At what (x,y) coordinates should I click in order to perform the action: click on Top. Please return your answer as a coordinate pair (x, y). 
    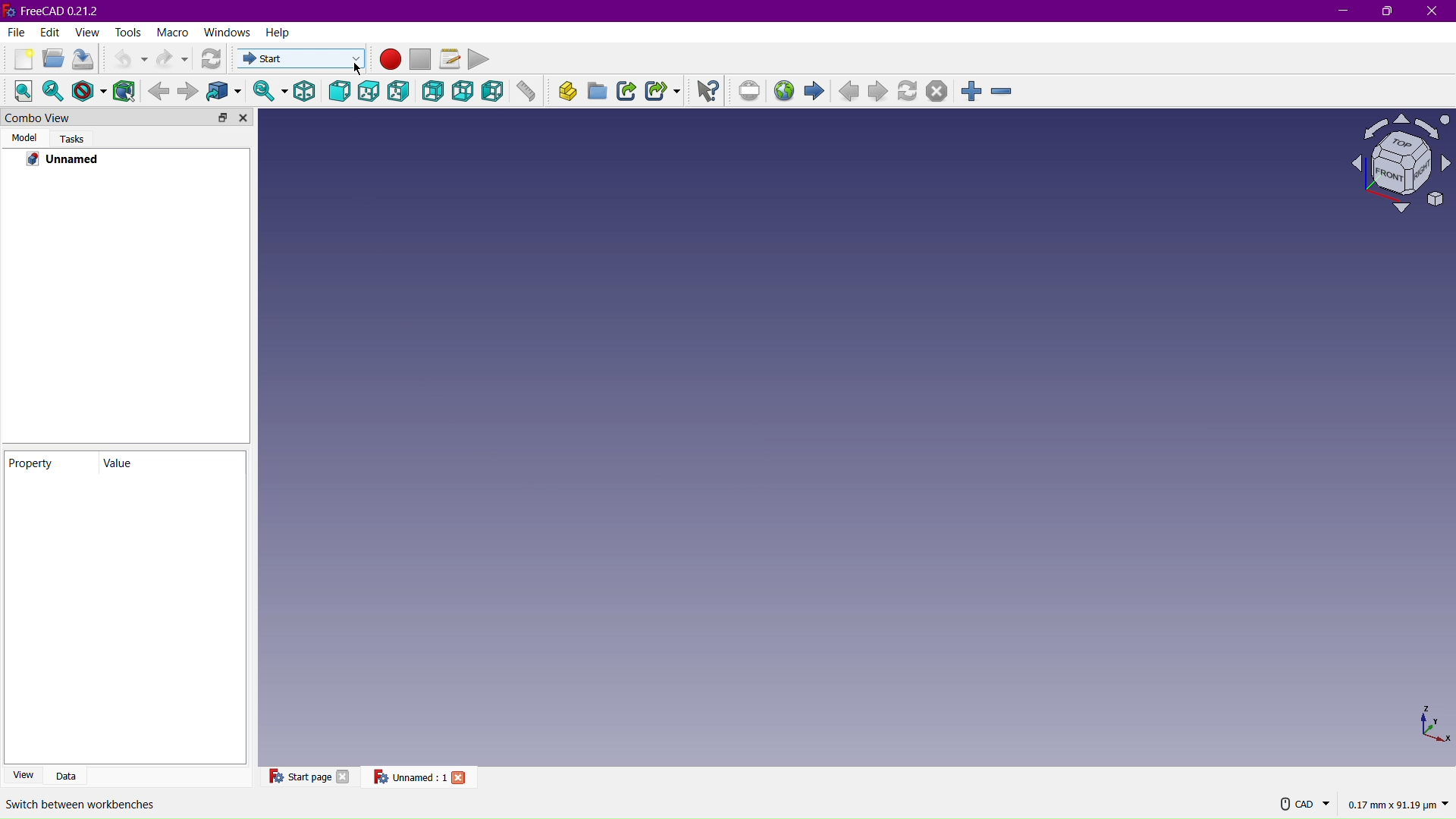
    Looking at the image, I should click on (369, 93).